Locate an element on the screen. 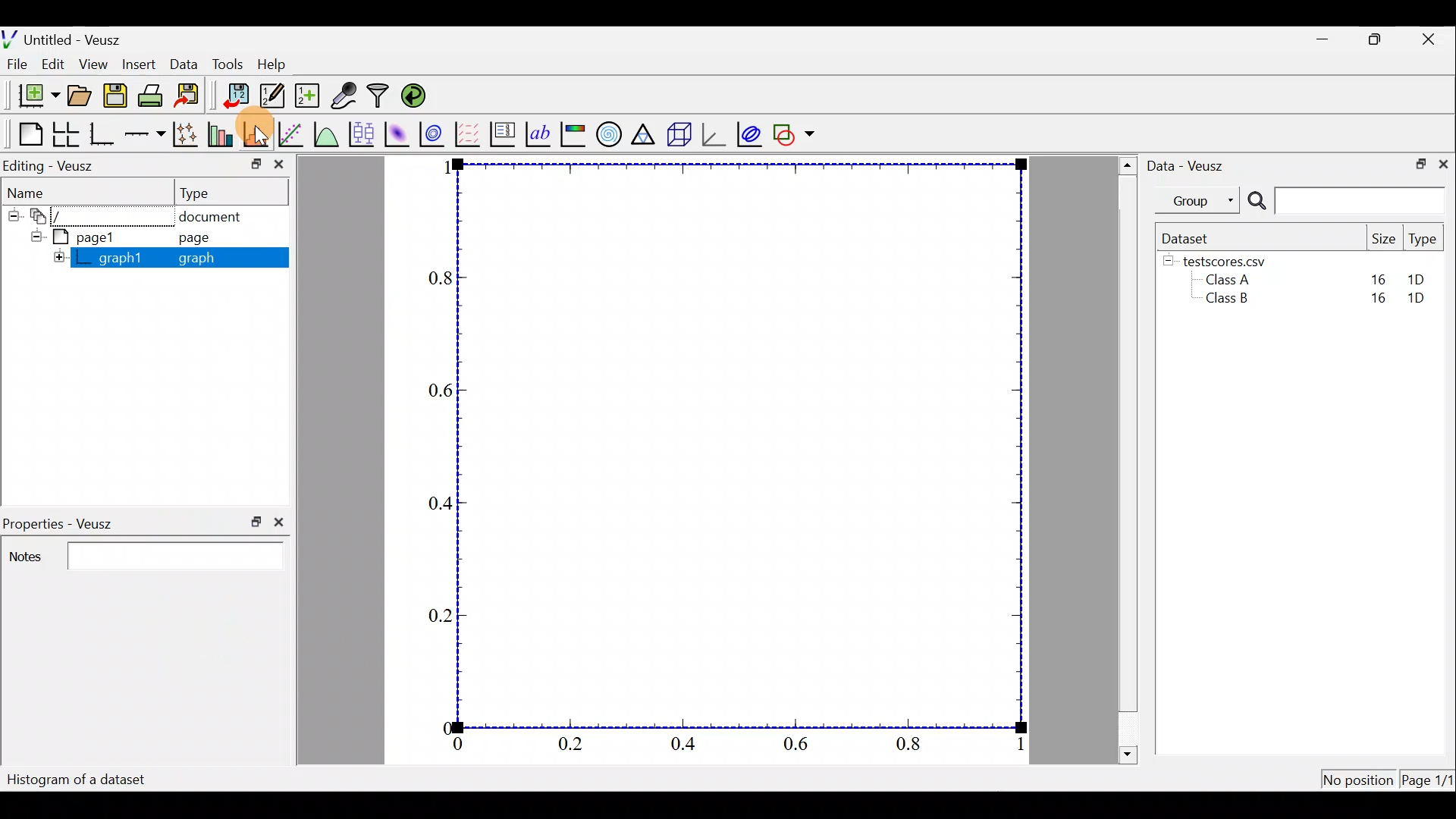 Image resolution: width=1456 pixels, height=819 pixels. Base graph is located at coordinates (102, 132).